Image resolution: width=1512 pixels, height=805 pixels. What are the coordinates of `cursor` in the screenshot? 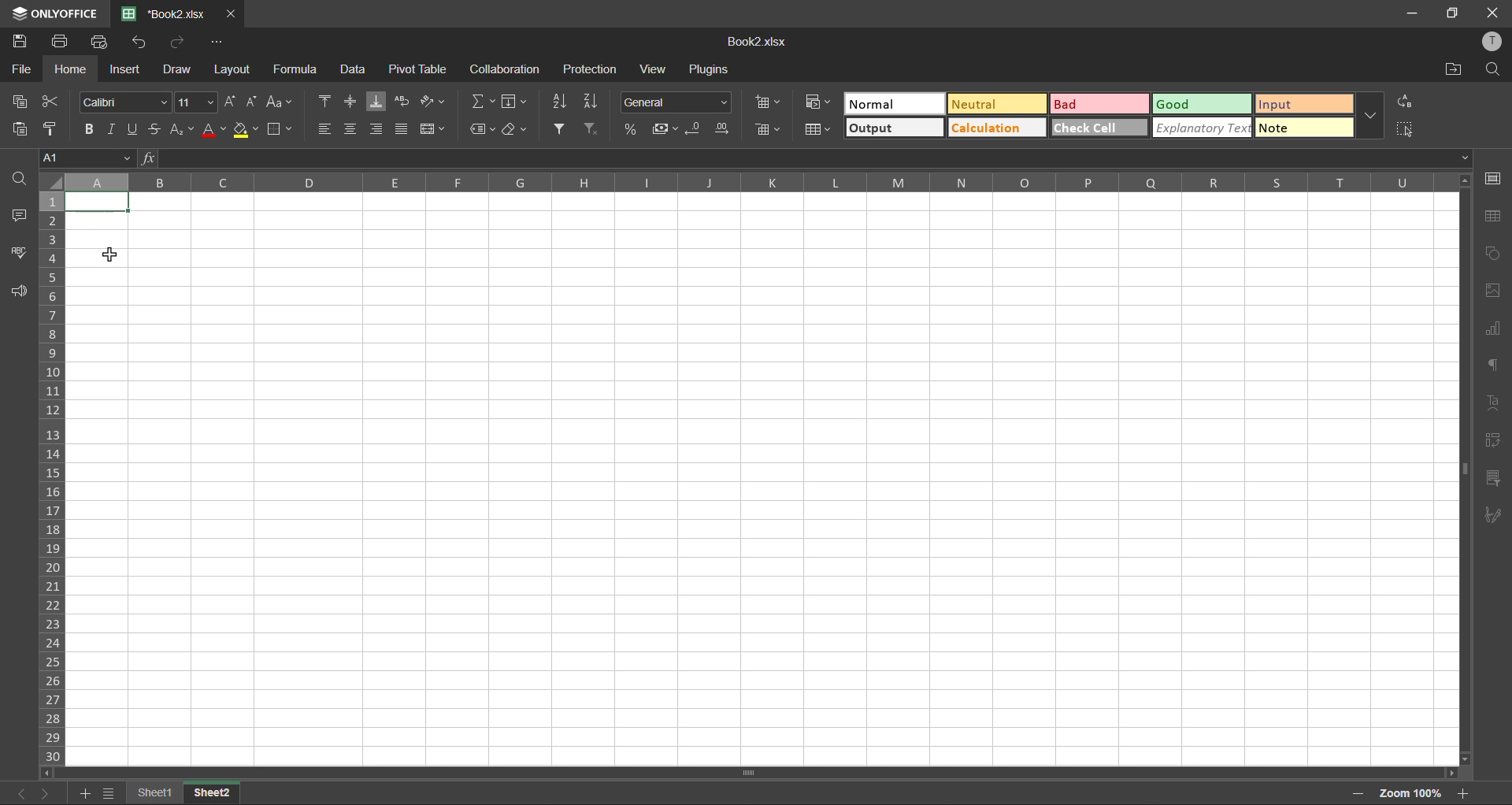 It's located at (115, 255).